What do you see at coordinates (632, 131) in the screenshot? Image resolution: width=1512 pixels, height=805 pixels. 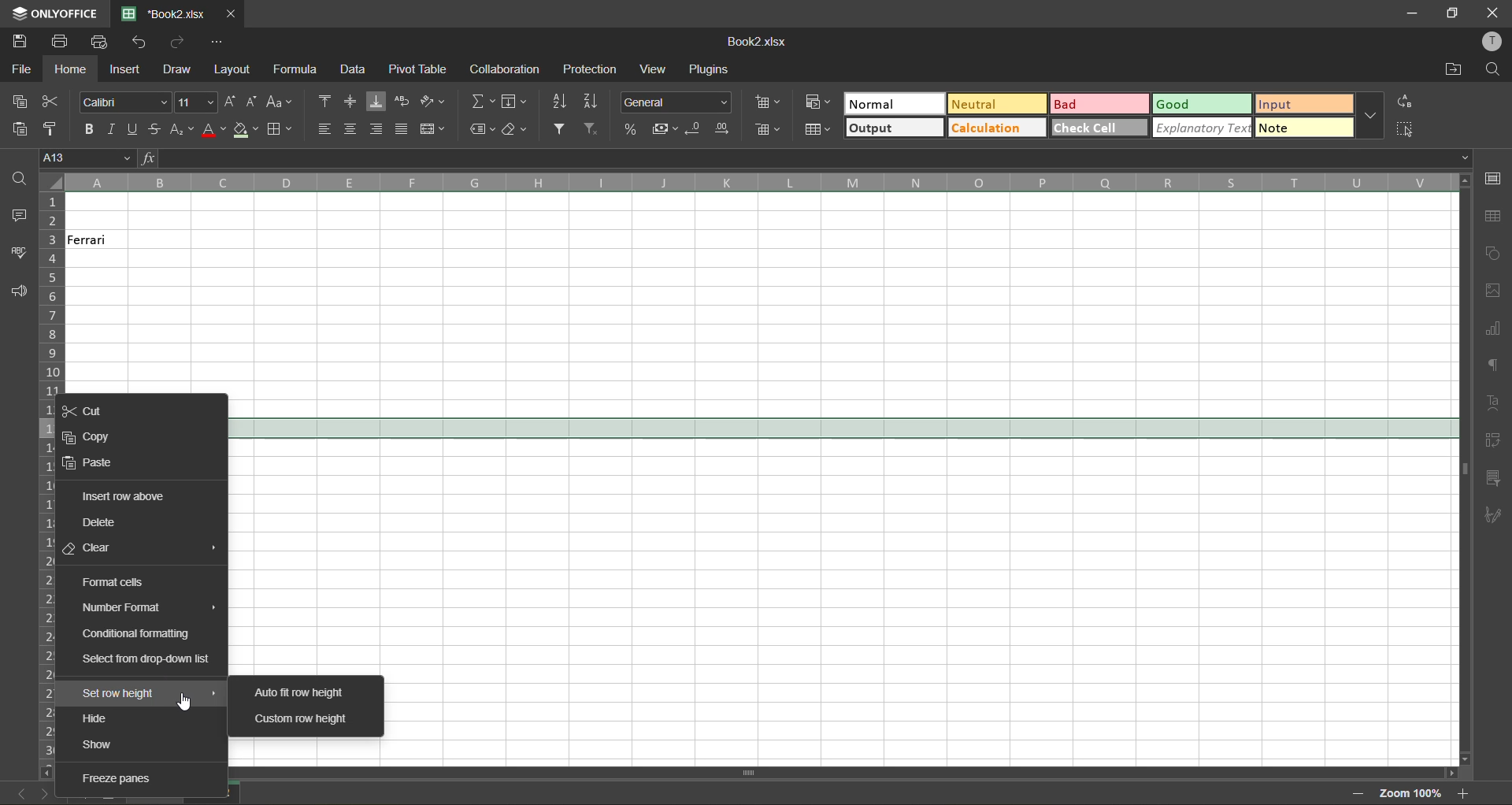 I see `percent` at bounding box center [632, 131].